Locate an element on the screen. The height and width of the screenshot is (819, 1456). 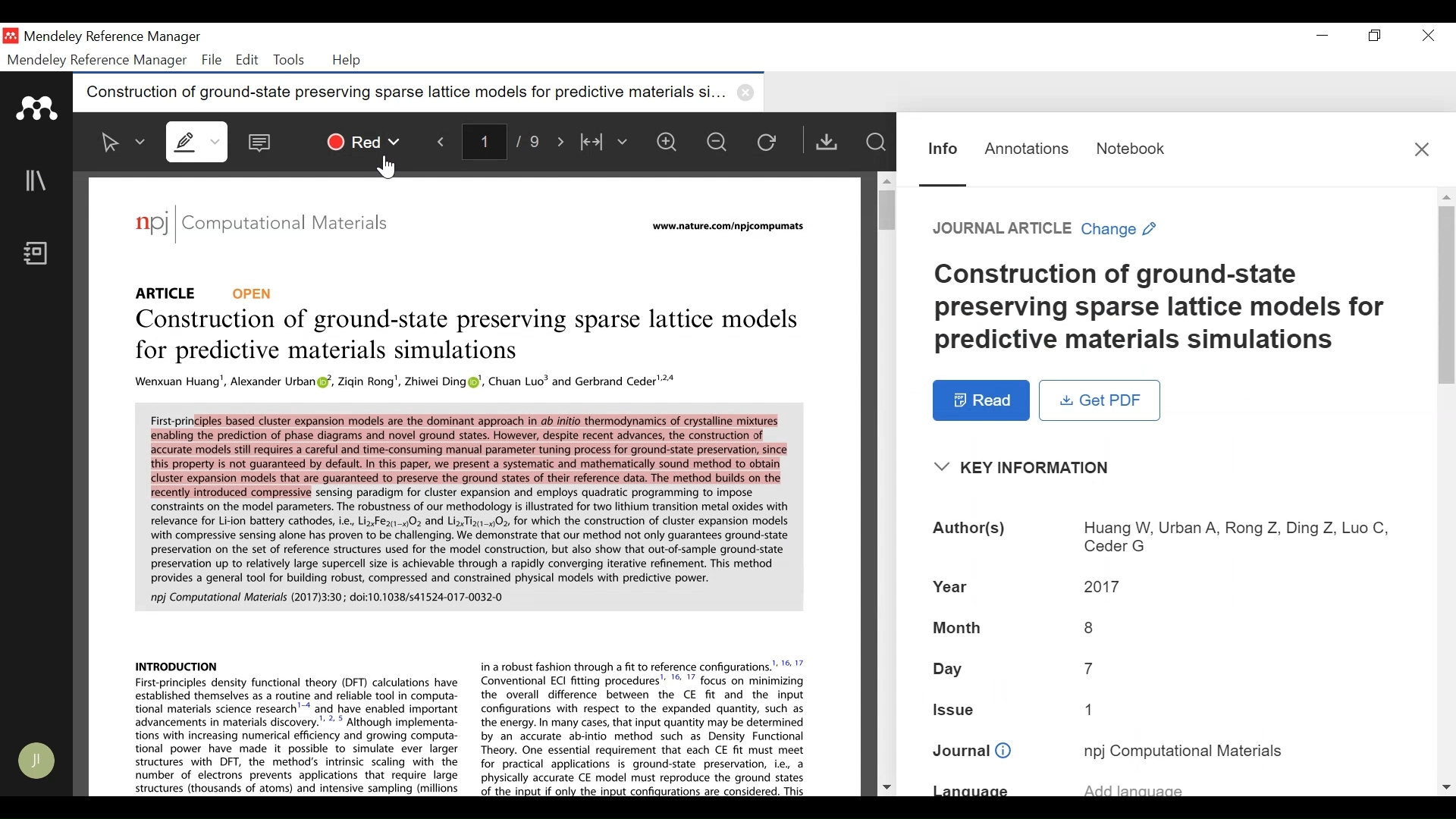
Huang W, Urban A, Rong Z, Ding Z, Luo C,
Ceder G is located at coordinates (1224, 535).